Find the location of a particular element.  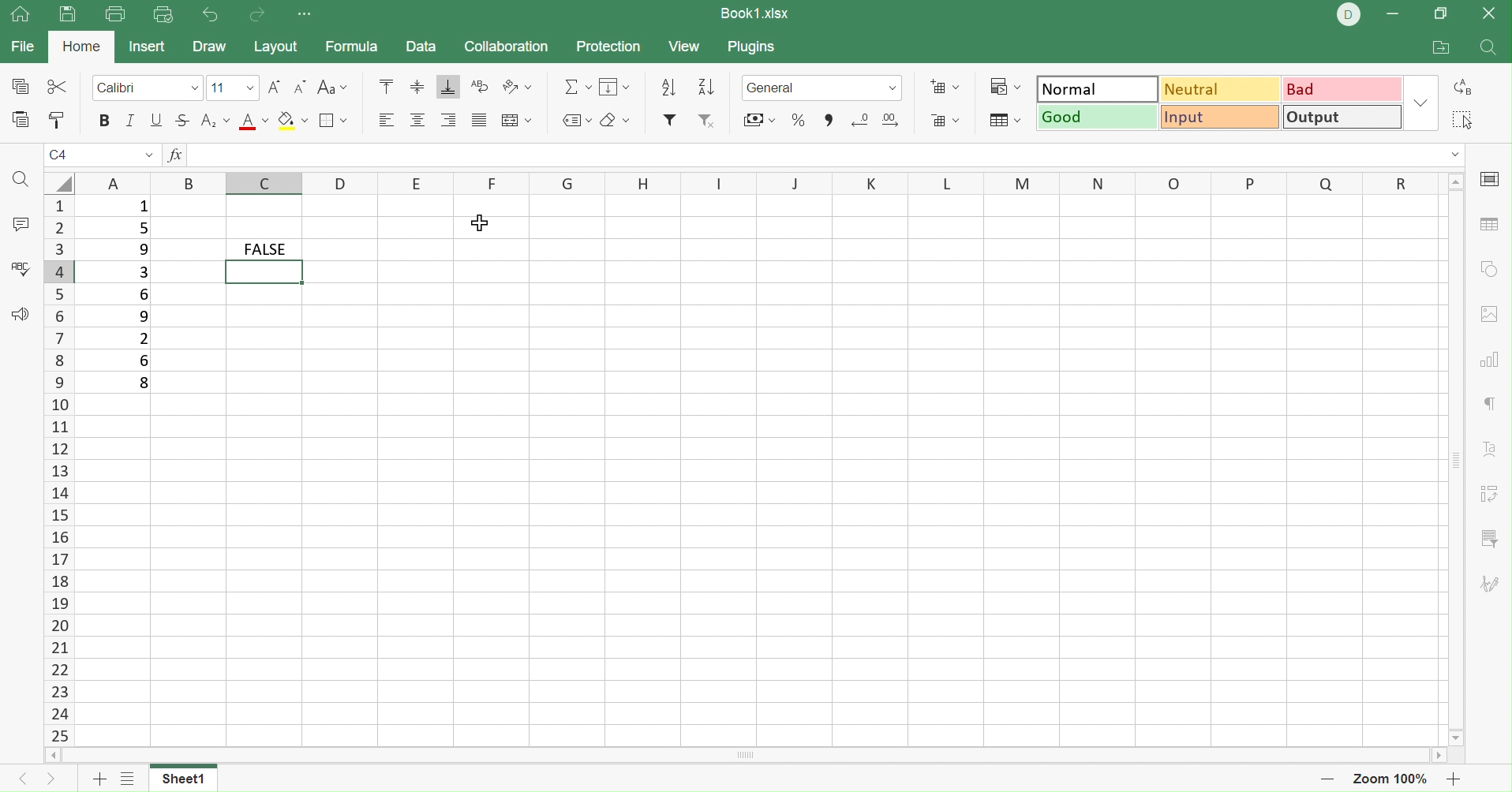

6 is located at coordinates (146, 294).